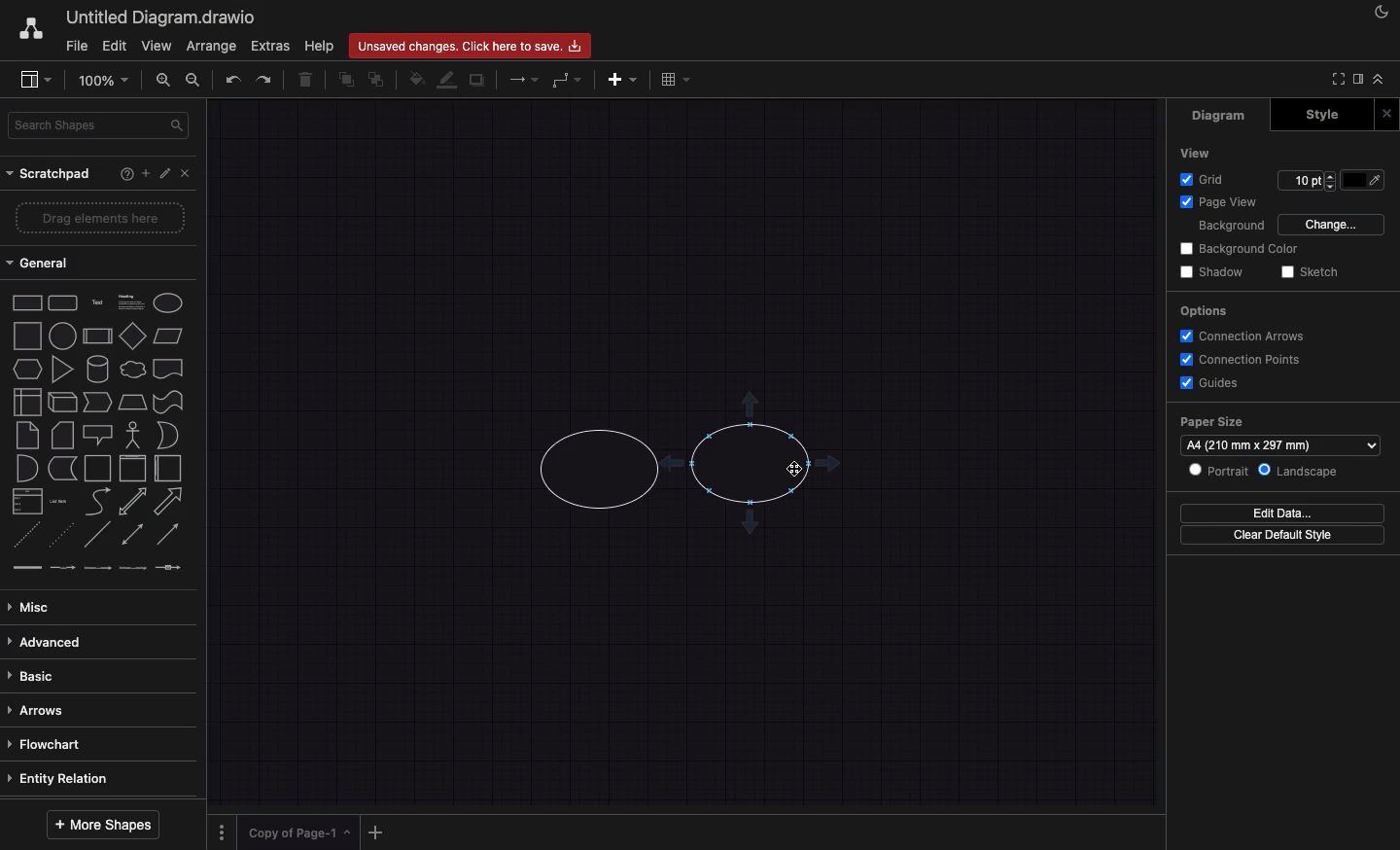  I want to click on add shape, so click(675, 466).